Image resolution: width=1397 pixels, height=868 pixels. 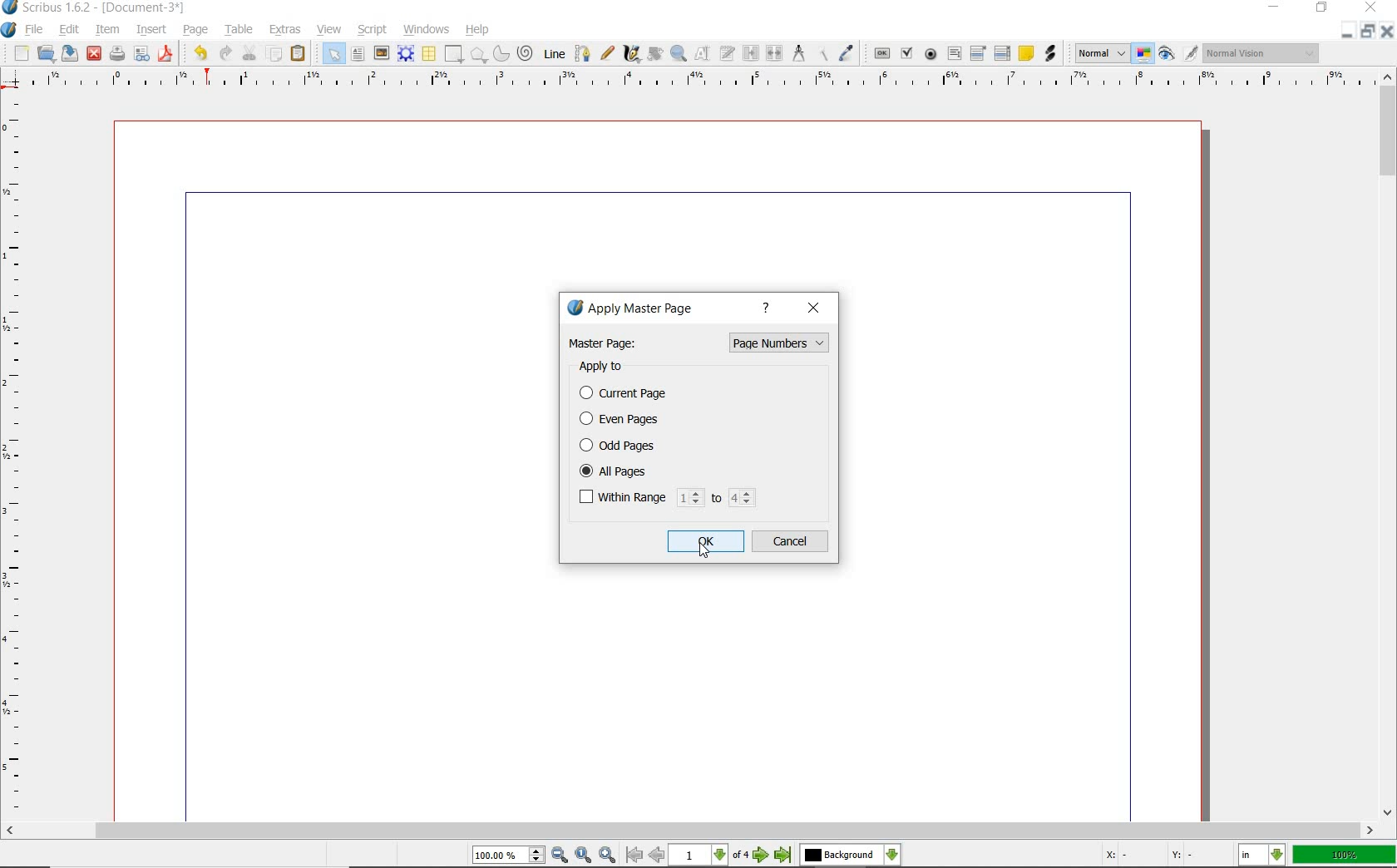 What do you see at coordinates (428, 53) in the screenshot?
I see `table` at bounding box center [428, 53].